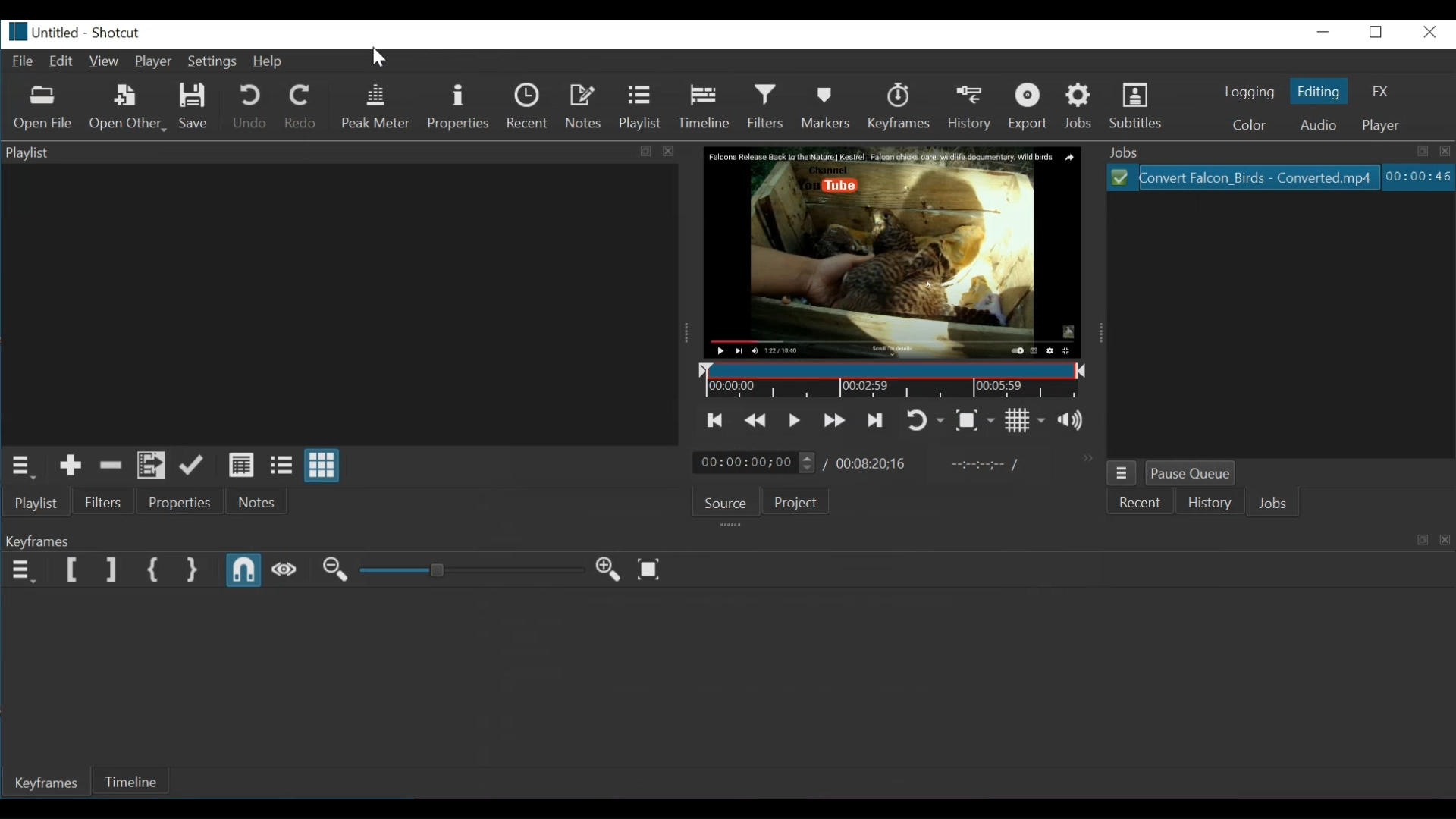 The width and height of the screenshot is (1456, 819). What do you see at coordinates (1122, 472) in the screenshot?
I see `Jobs menu` at bounding box center [1122, 472].